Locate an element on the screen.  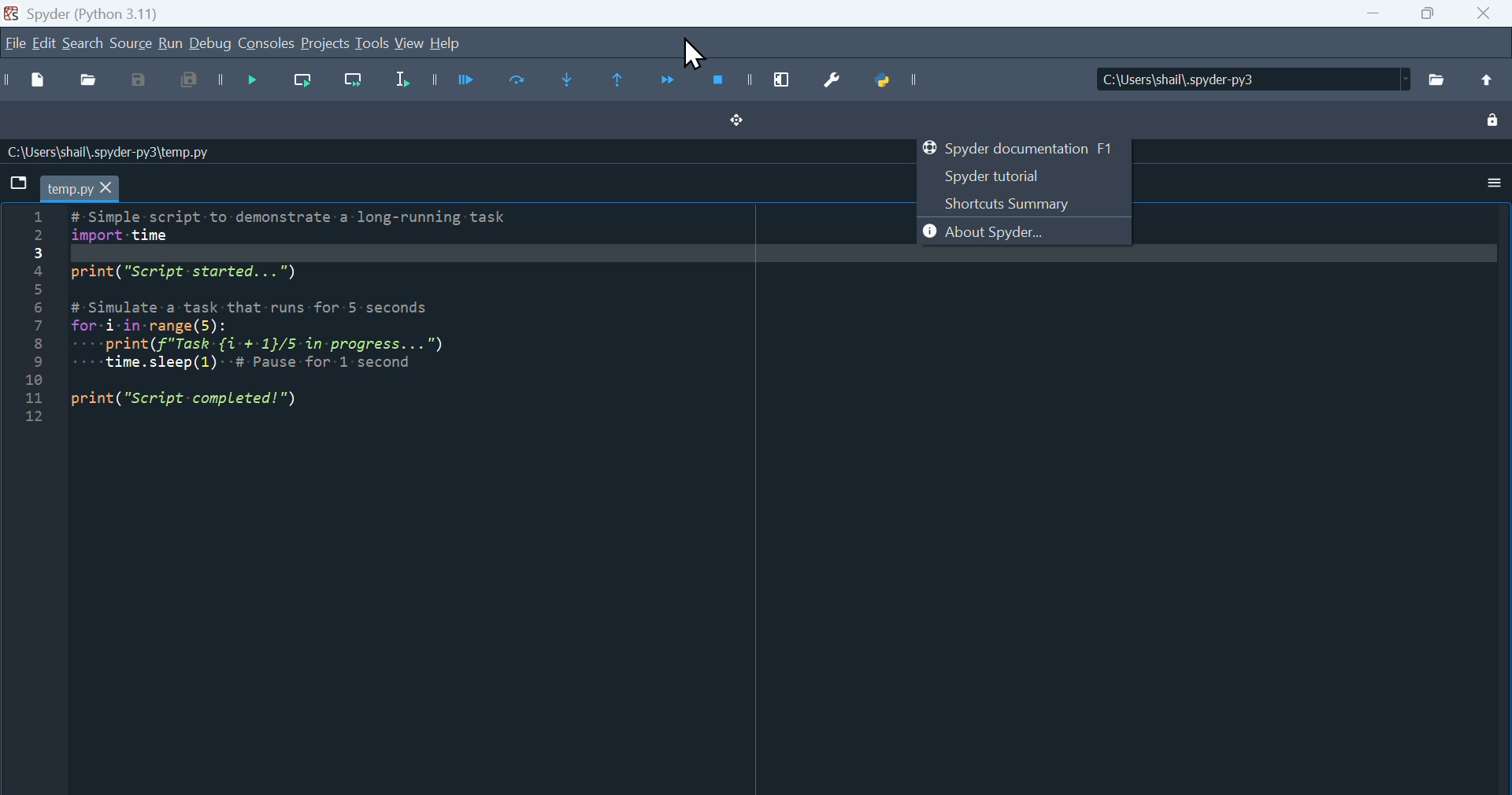
Save as is located at coordinates (139, 84).